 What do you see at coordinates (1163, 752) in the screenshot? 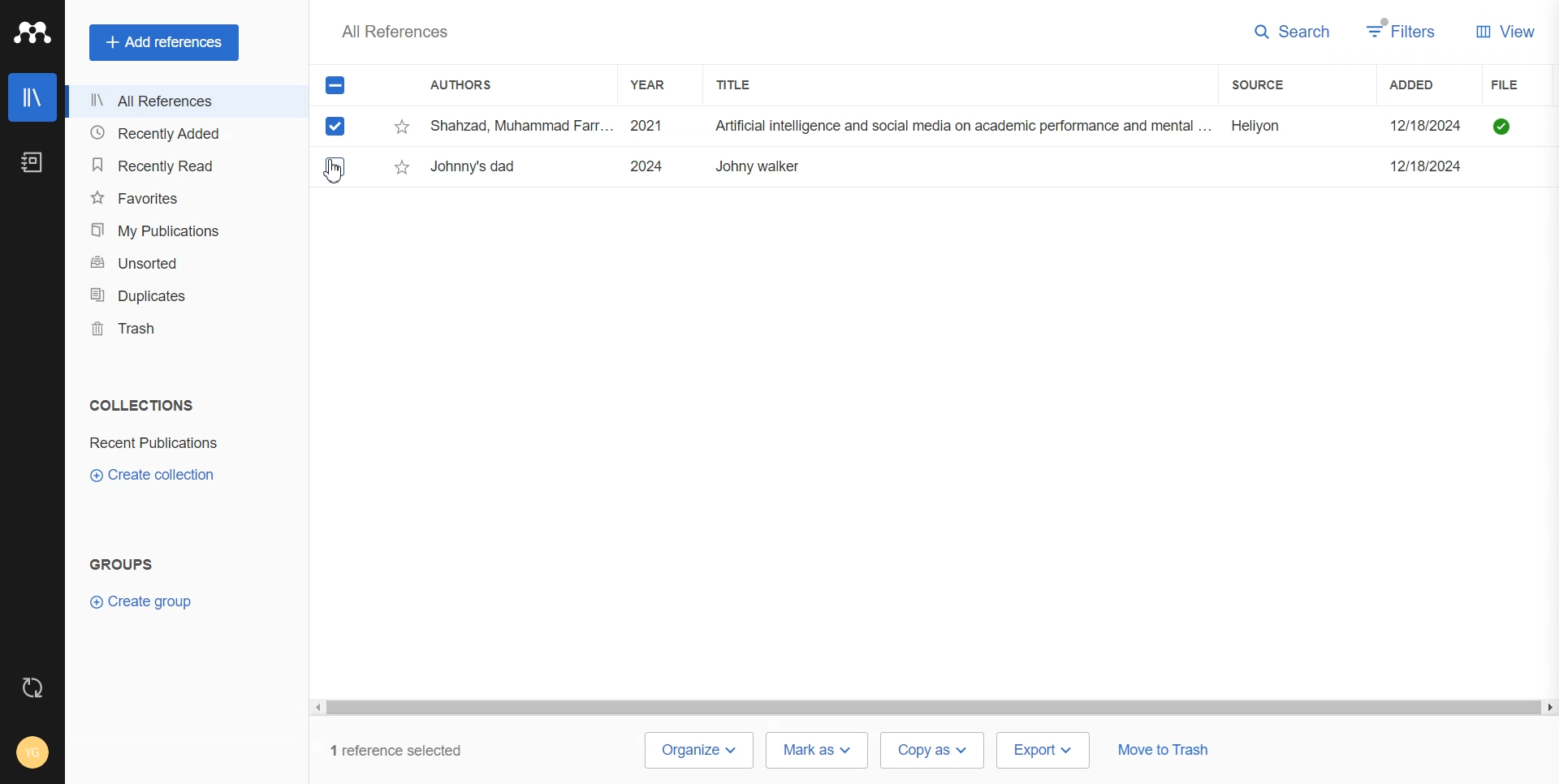
I see `Move to trash` at bounding box center [1163, 752].